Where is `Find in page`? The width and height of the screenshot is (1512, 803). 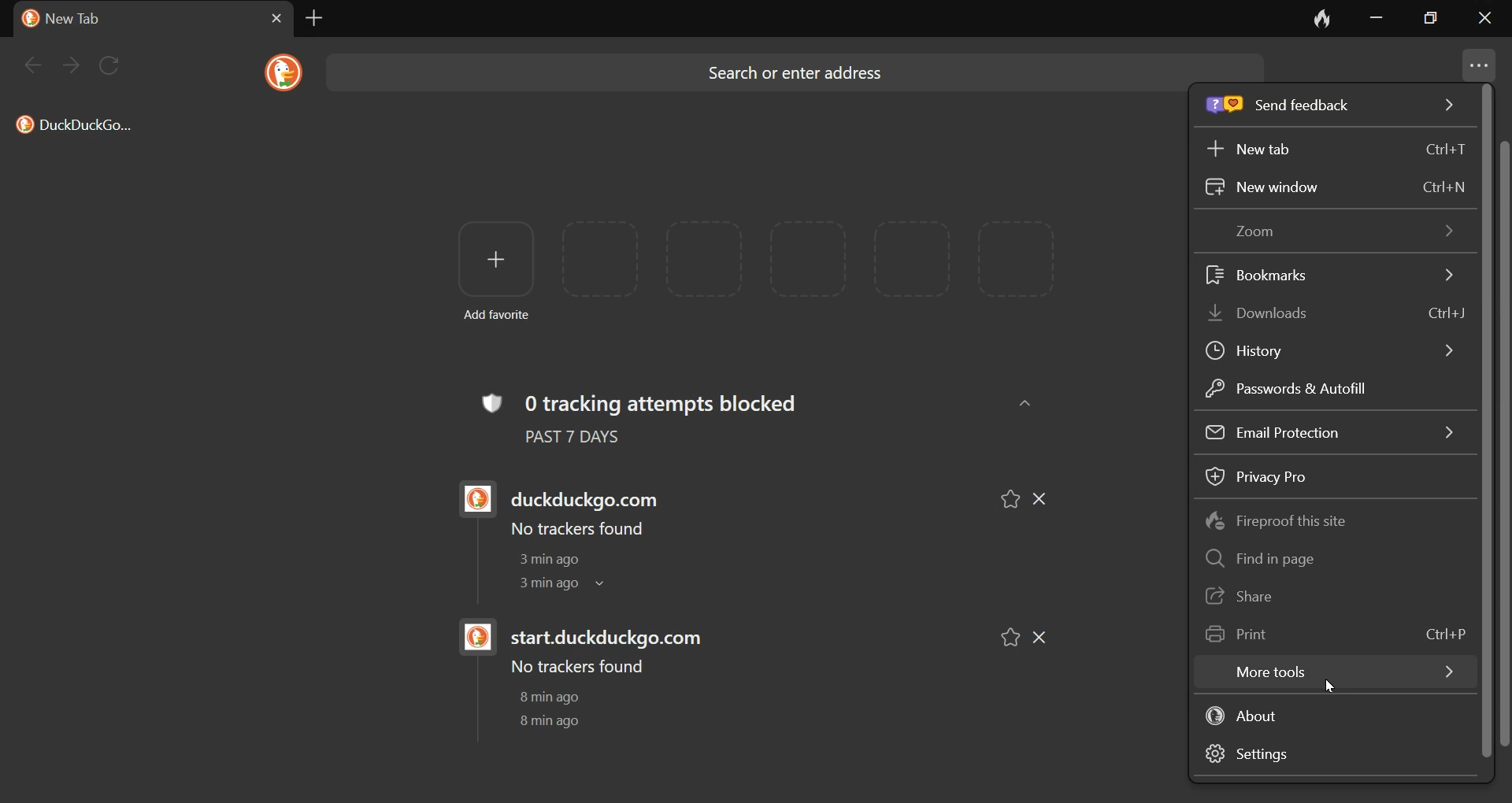
Find in page is located at coordinates (1260, 559).